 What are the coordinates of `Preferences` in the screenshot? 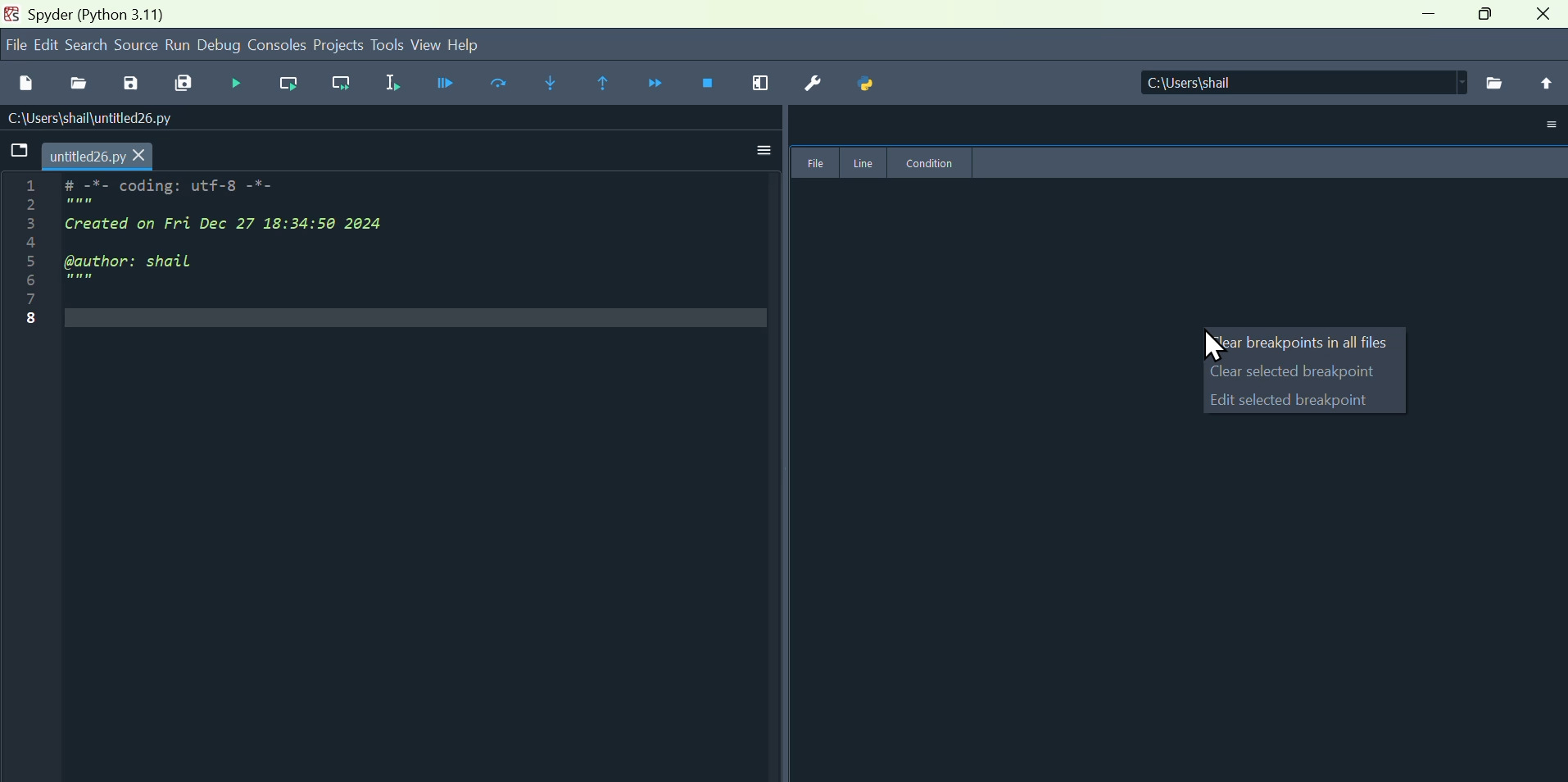 It's located at (815, 84).